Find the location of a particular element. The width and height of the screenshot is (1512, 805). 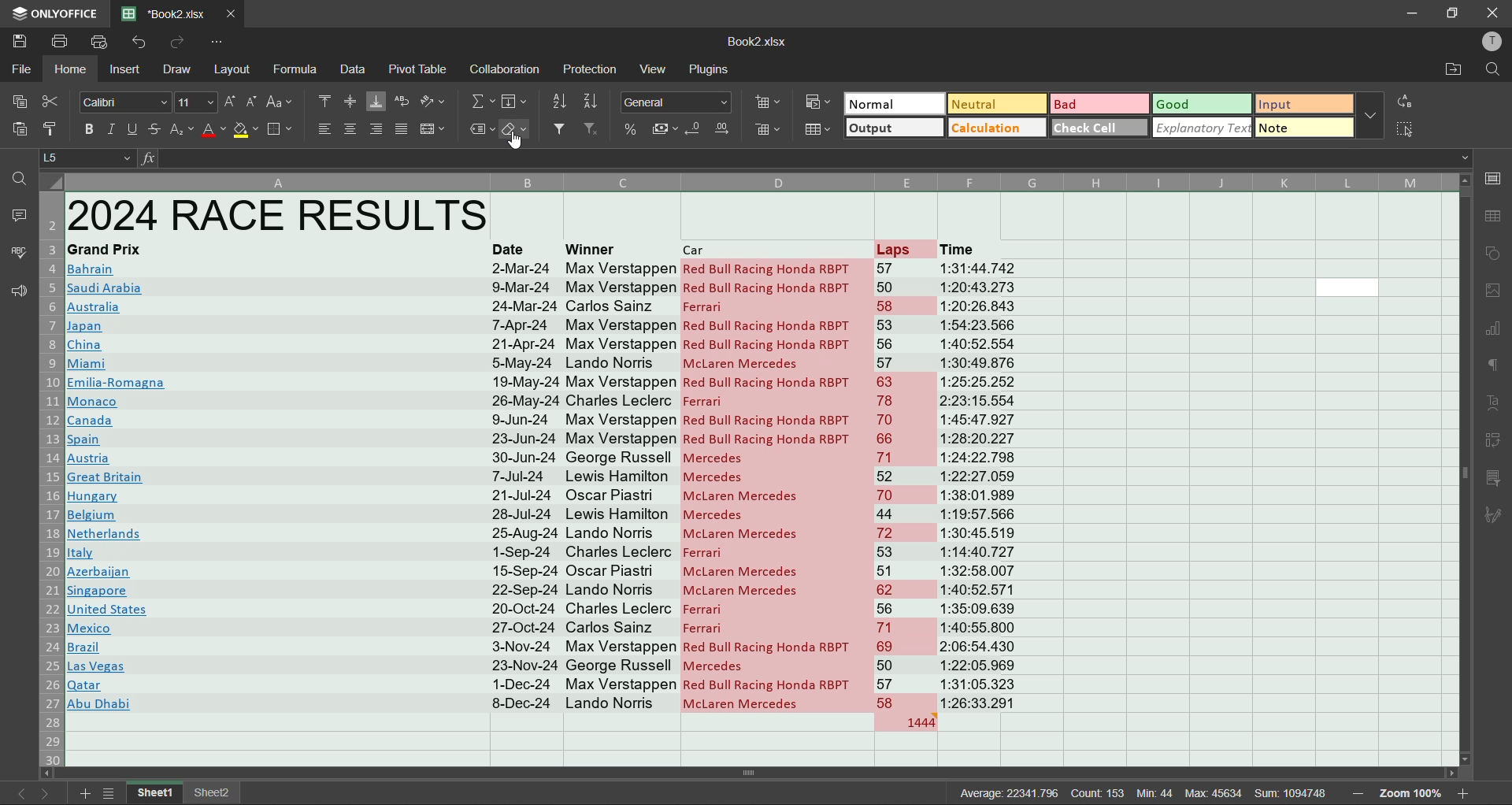

previous is located at coordinates (16, 794).